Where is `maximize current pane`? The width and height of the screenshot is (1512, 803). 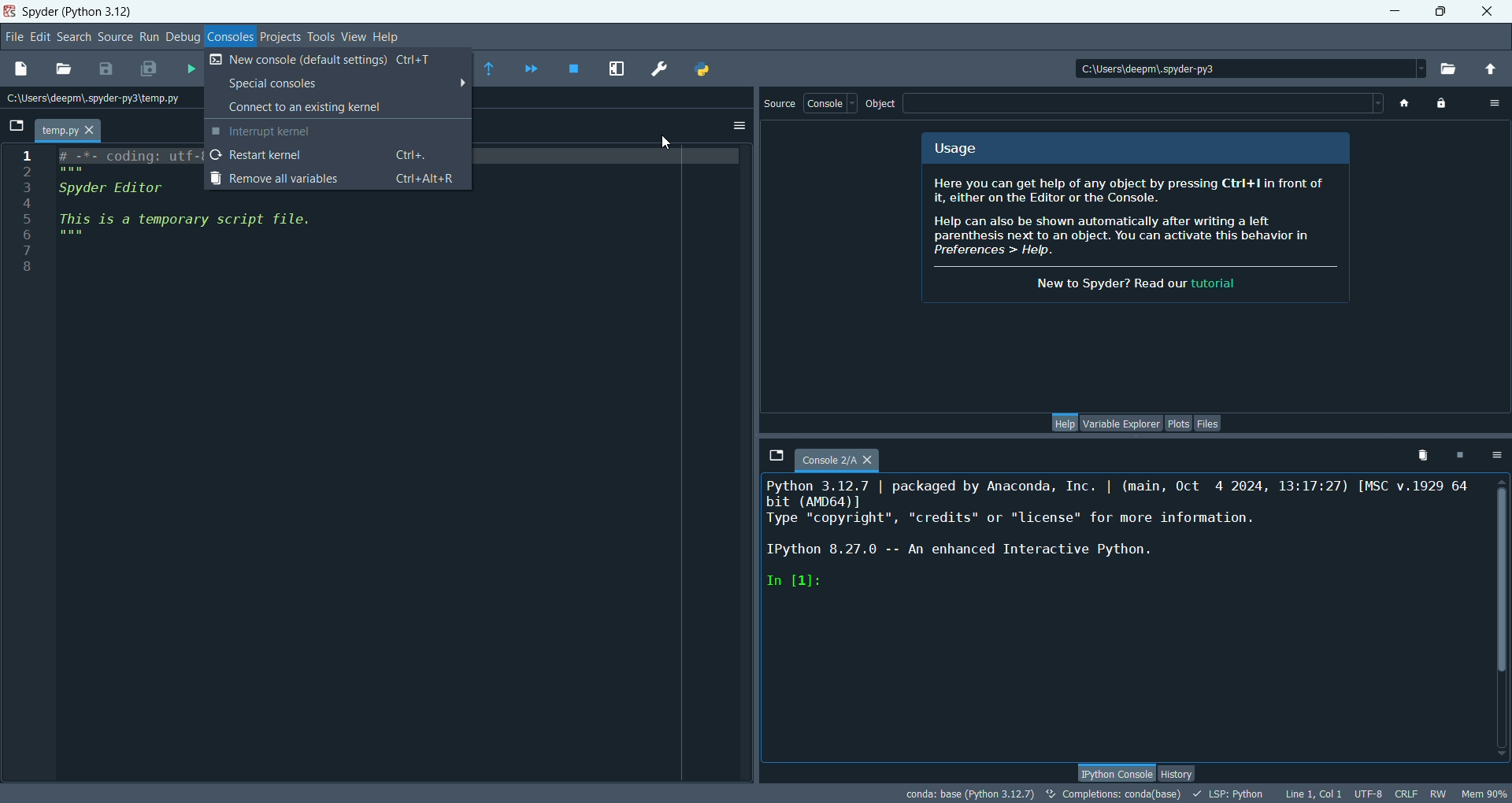
maximize current pane is located at coordinates (617, 68).